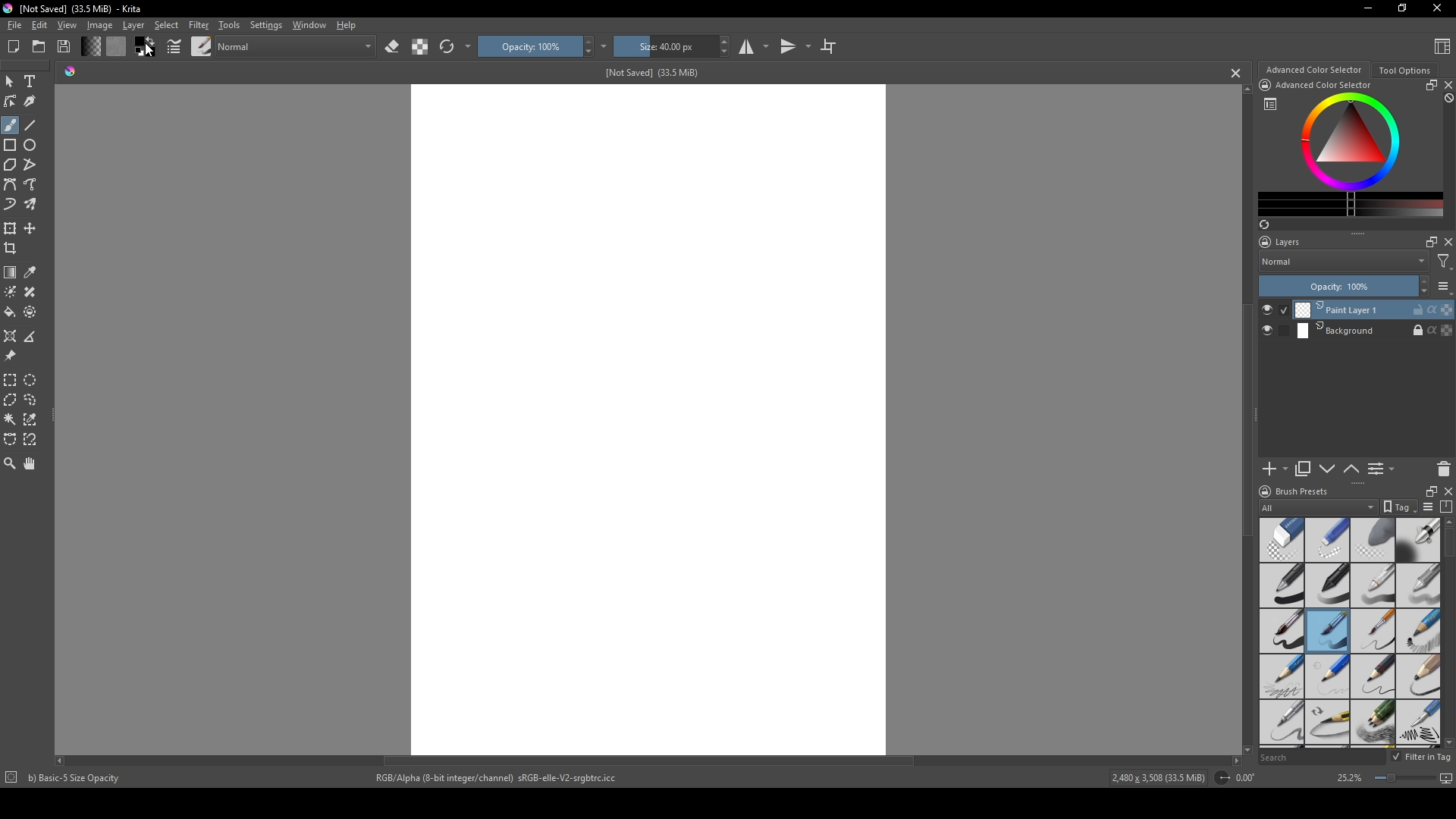 This screenshot has height=819, width=1456. I want to click on refresh, so click(447, 47).